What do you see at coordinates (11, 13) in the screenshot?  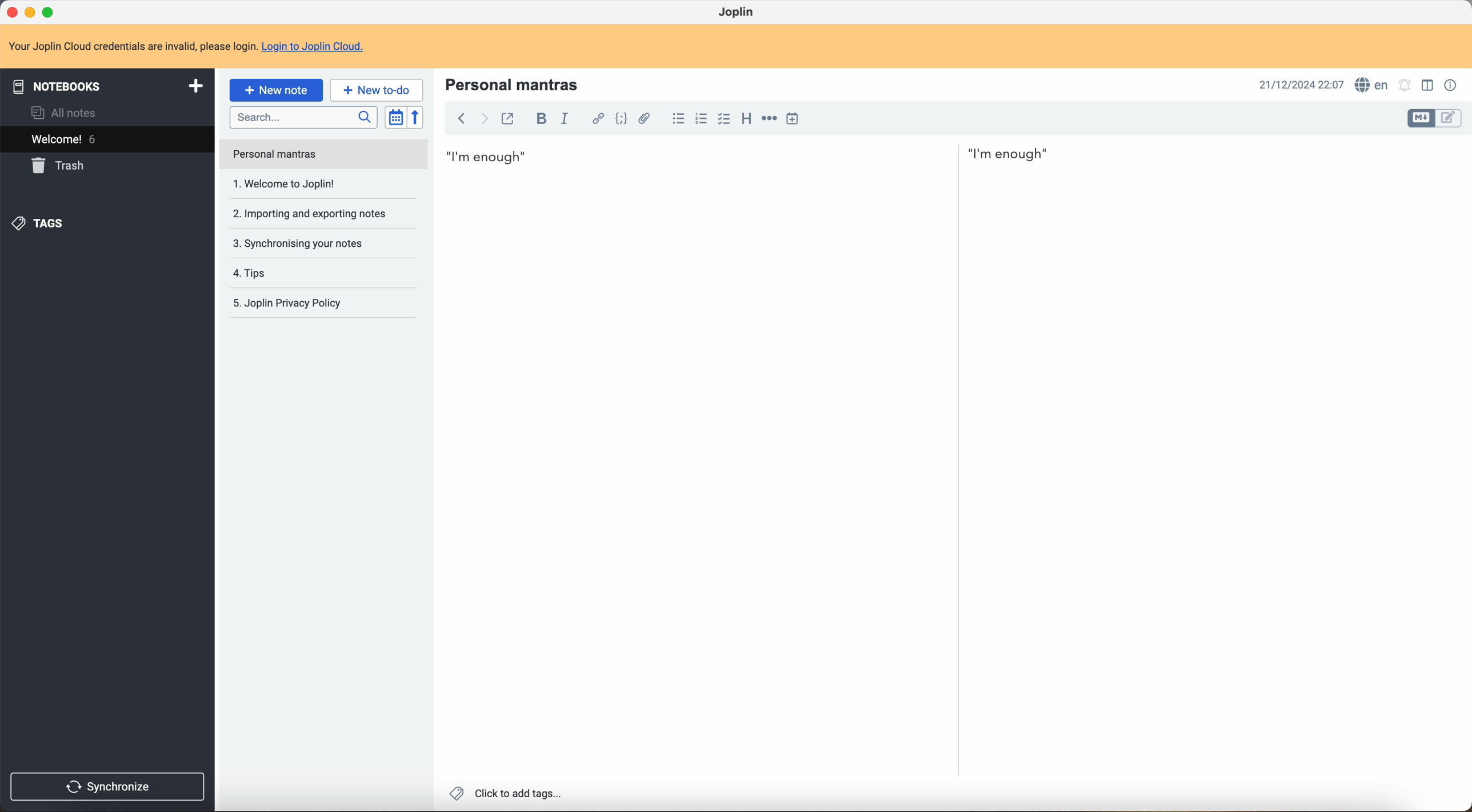 I see `close program` at bounding box center [11, 13].